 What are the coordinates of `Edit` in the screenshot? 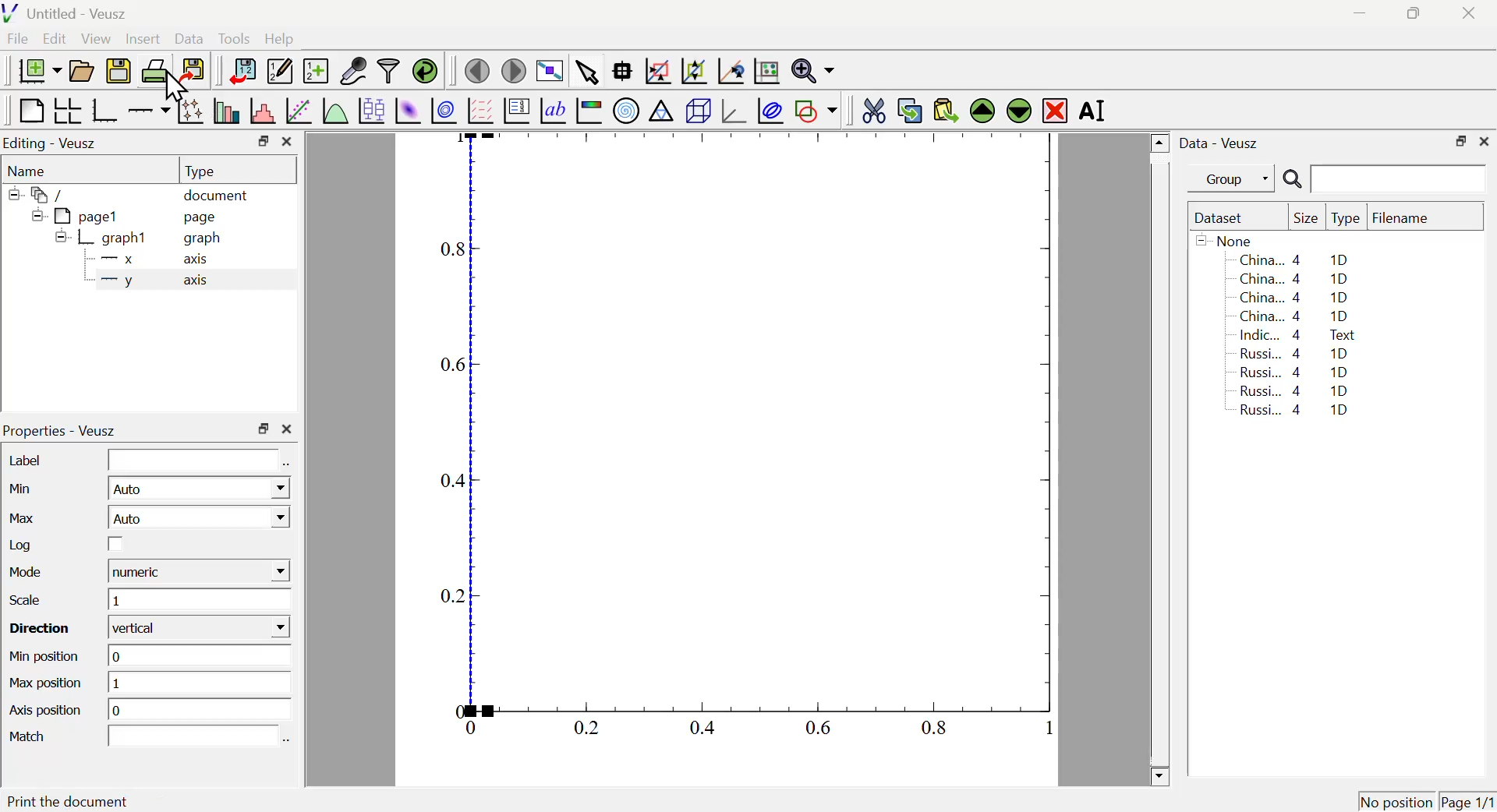 It's located at (55, 37).